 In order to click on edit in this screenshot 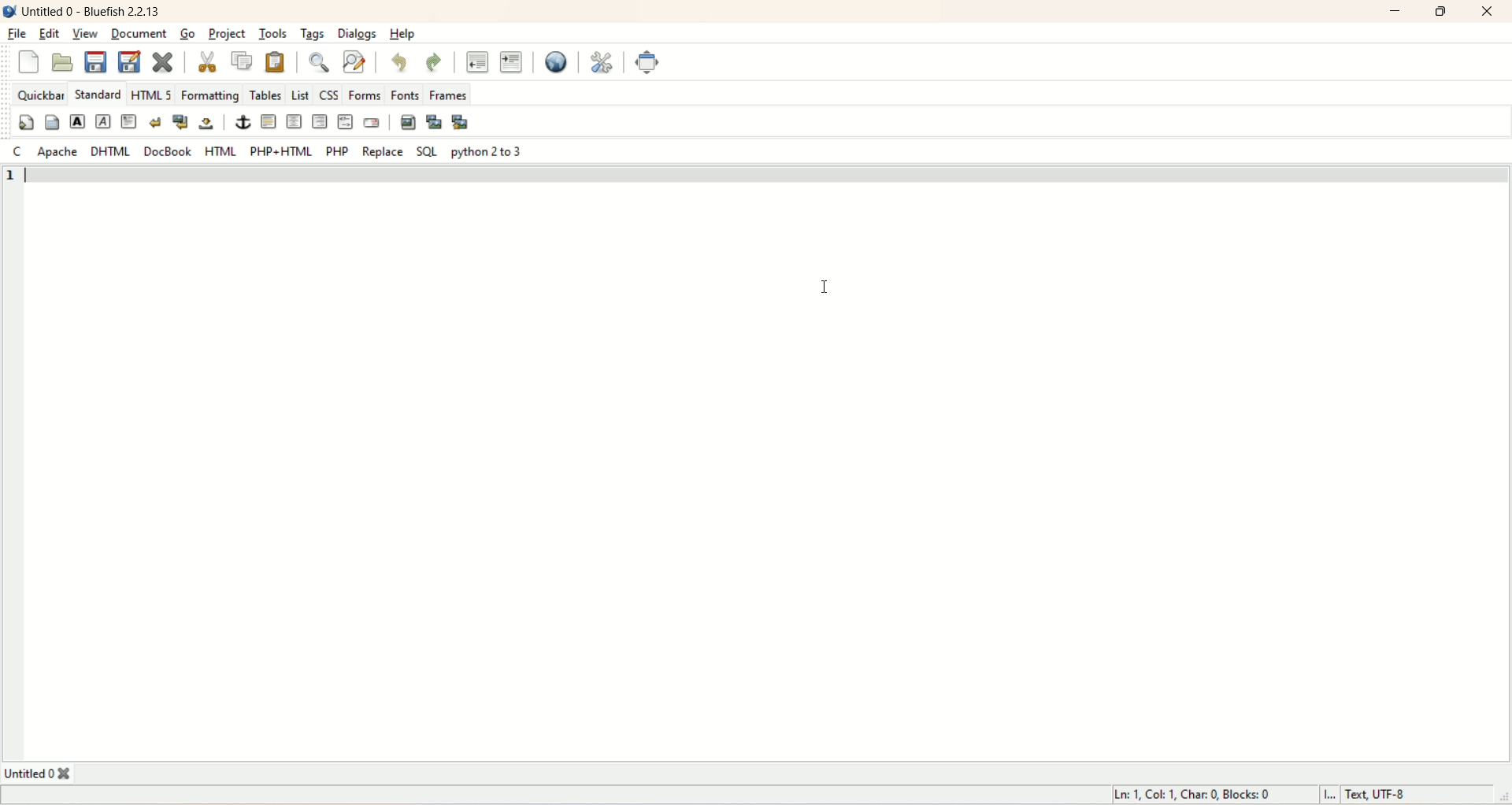, I will do `click(50, 33)`.